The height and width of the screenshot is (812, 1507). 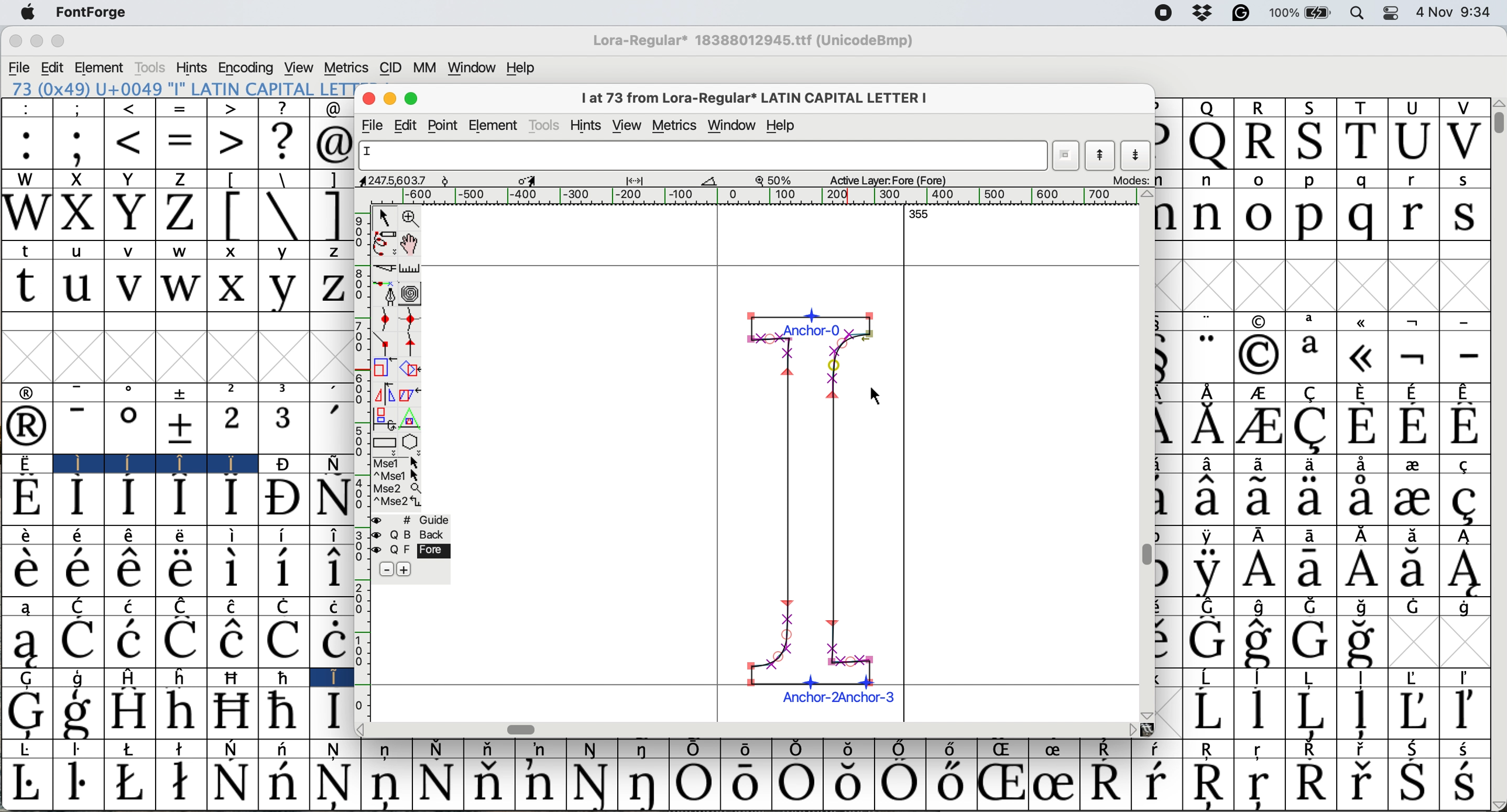 What do you see at coordinates (1414, 427) in the screenshot?
I see `Symbol` at bounding box center [1414, 427].